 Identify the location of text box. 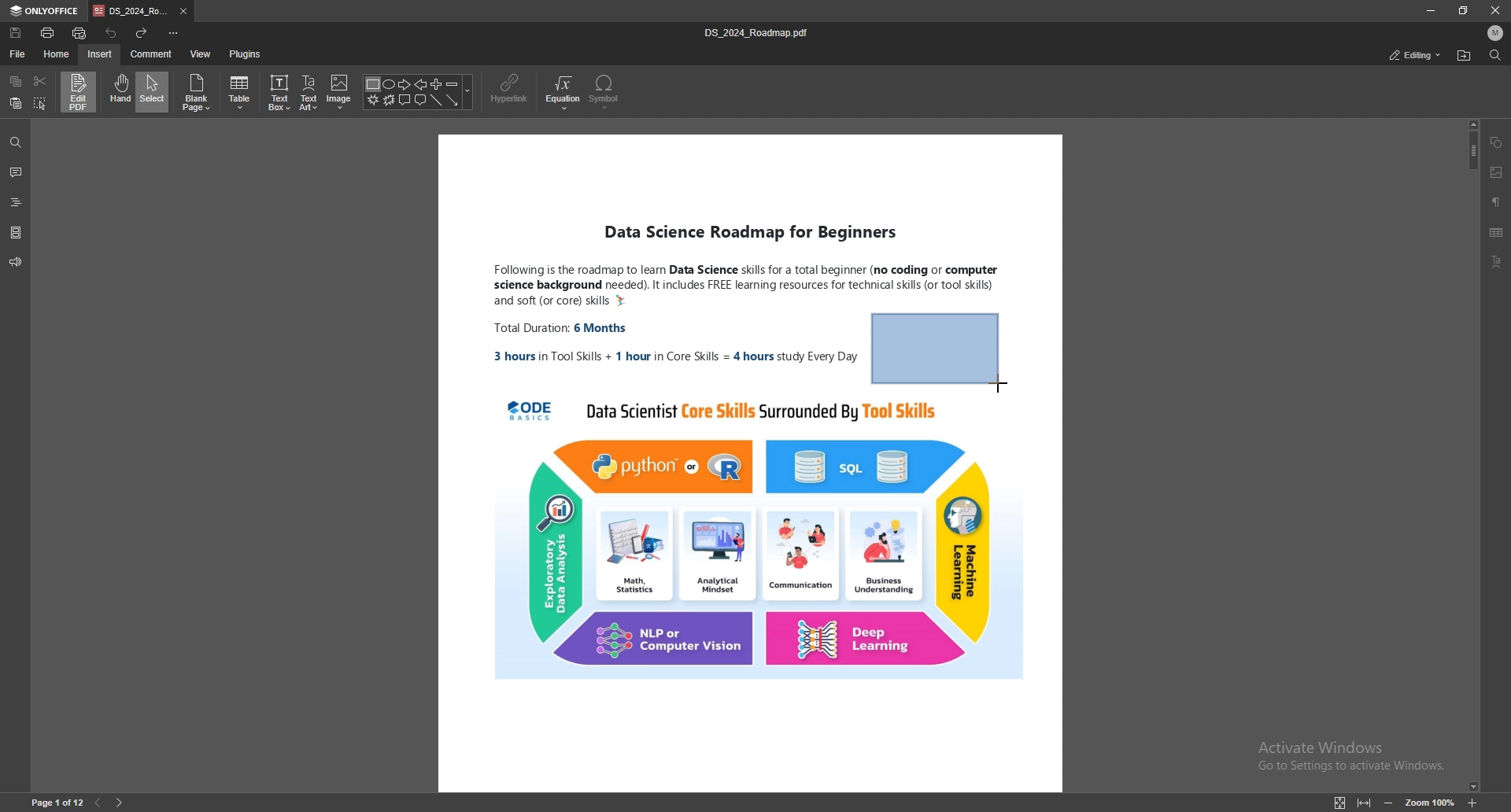
(280, 92).